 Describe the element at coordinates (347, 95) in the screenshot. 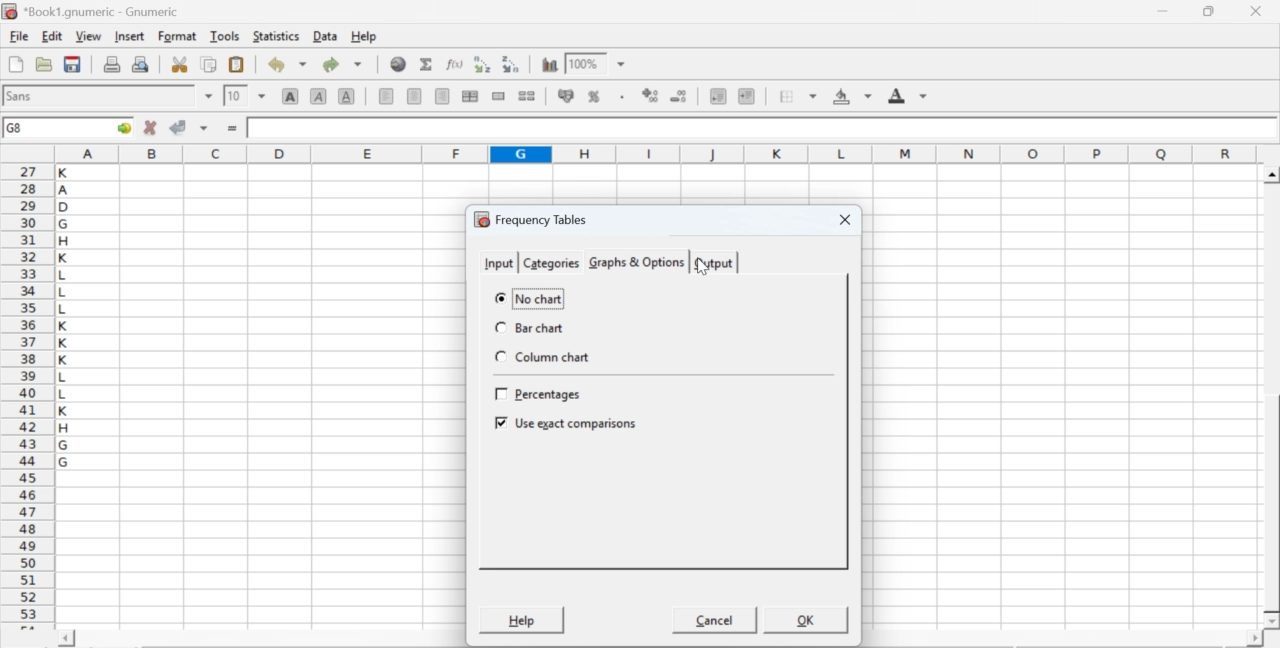

I see `underline` at that location.